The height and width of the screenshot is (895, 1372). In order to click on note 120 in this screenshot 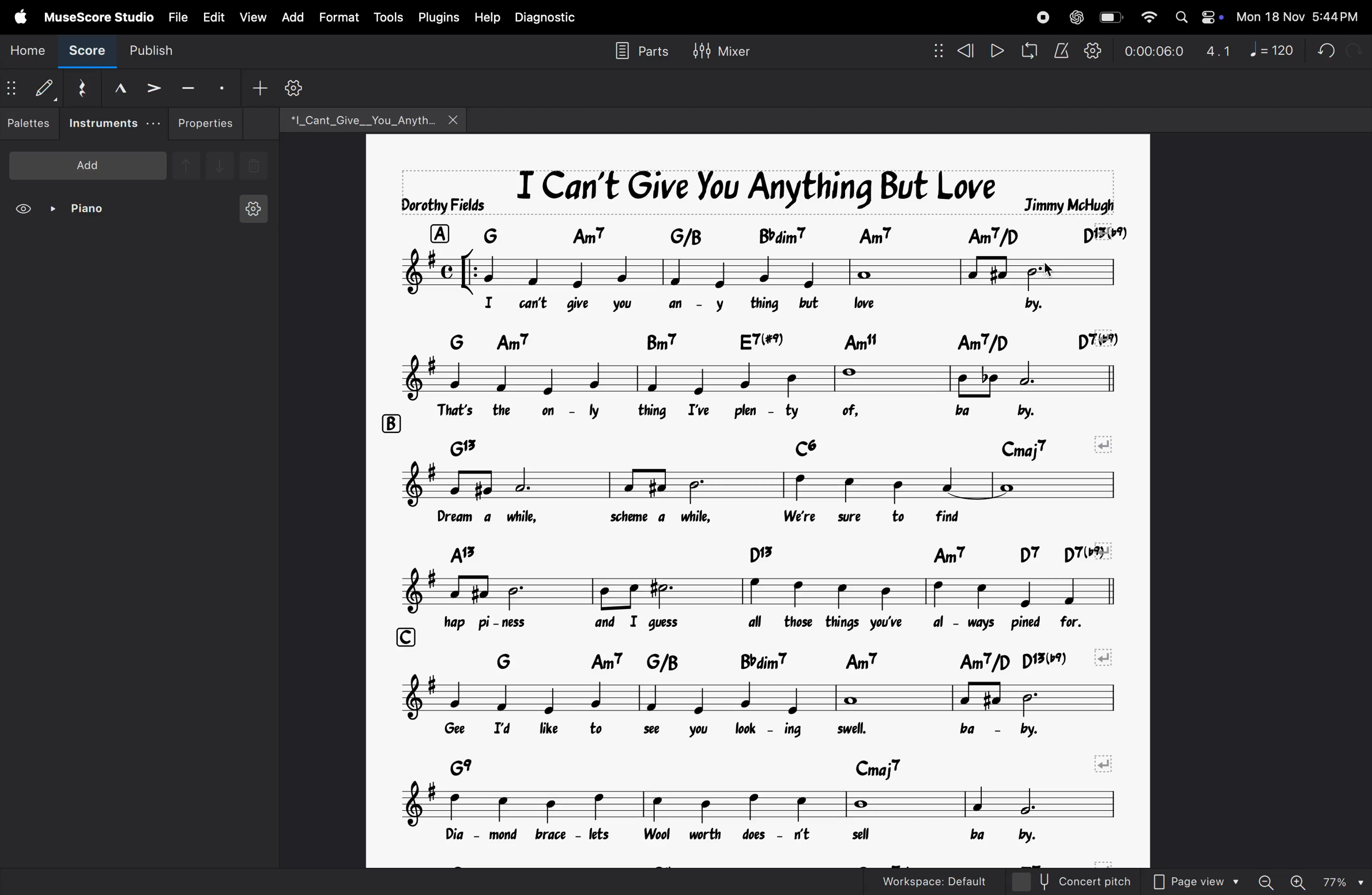, I will do `click(1271, 51)`.